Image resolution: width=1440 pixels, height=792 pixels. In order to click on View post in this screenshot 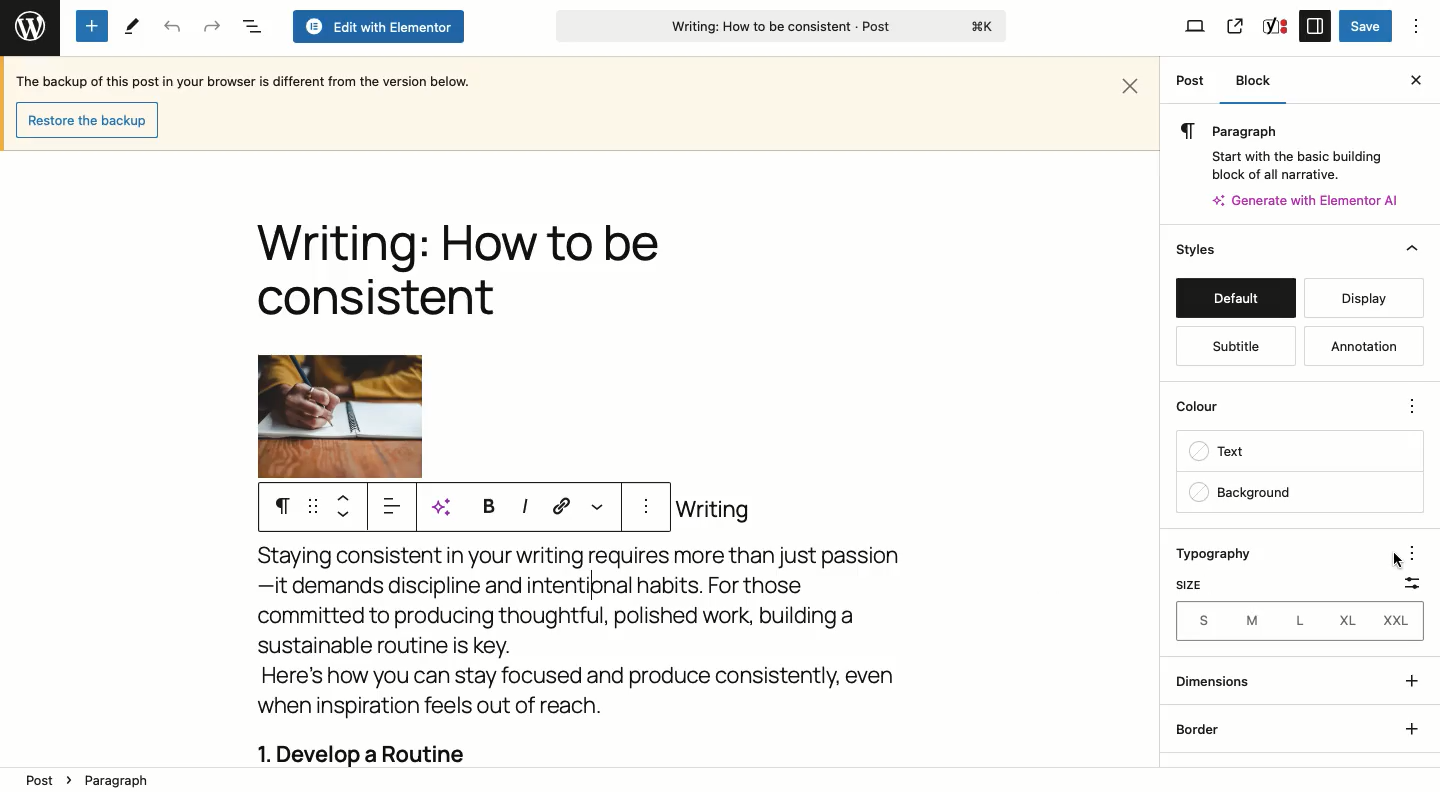, I will do `click(1234, 26)`.